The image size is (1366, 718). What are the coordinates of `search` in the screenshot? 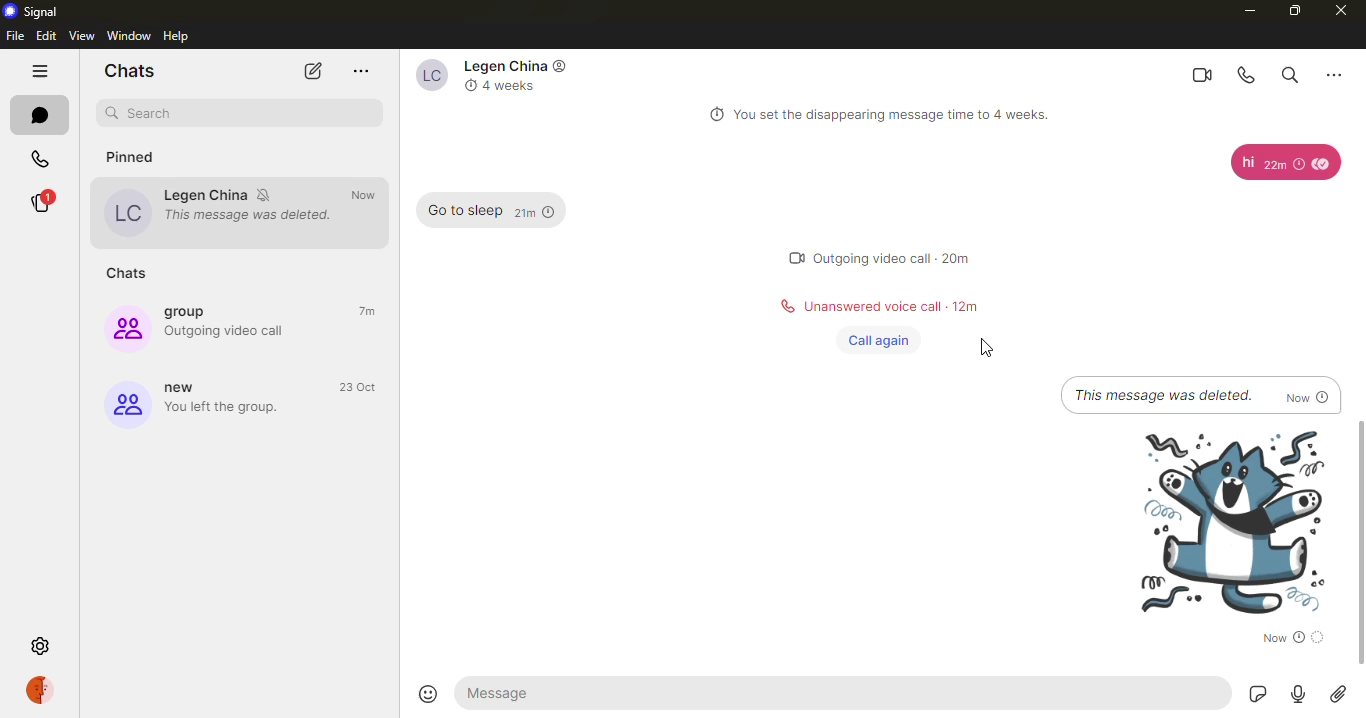 It's located at (1288, 74).